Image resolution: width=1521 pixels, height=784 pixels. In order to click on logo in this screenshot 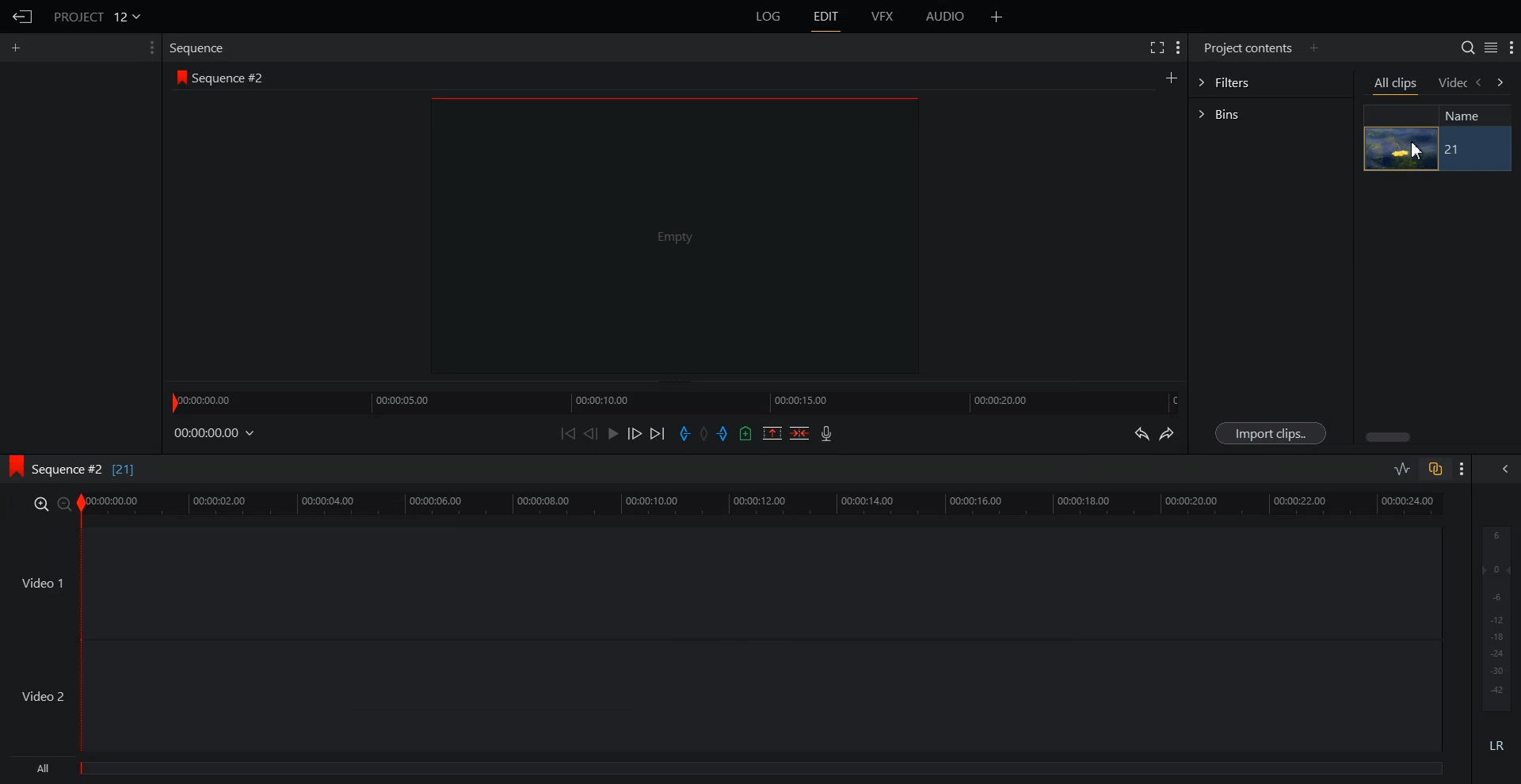, I will do `click(178, 78)`.